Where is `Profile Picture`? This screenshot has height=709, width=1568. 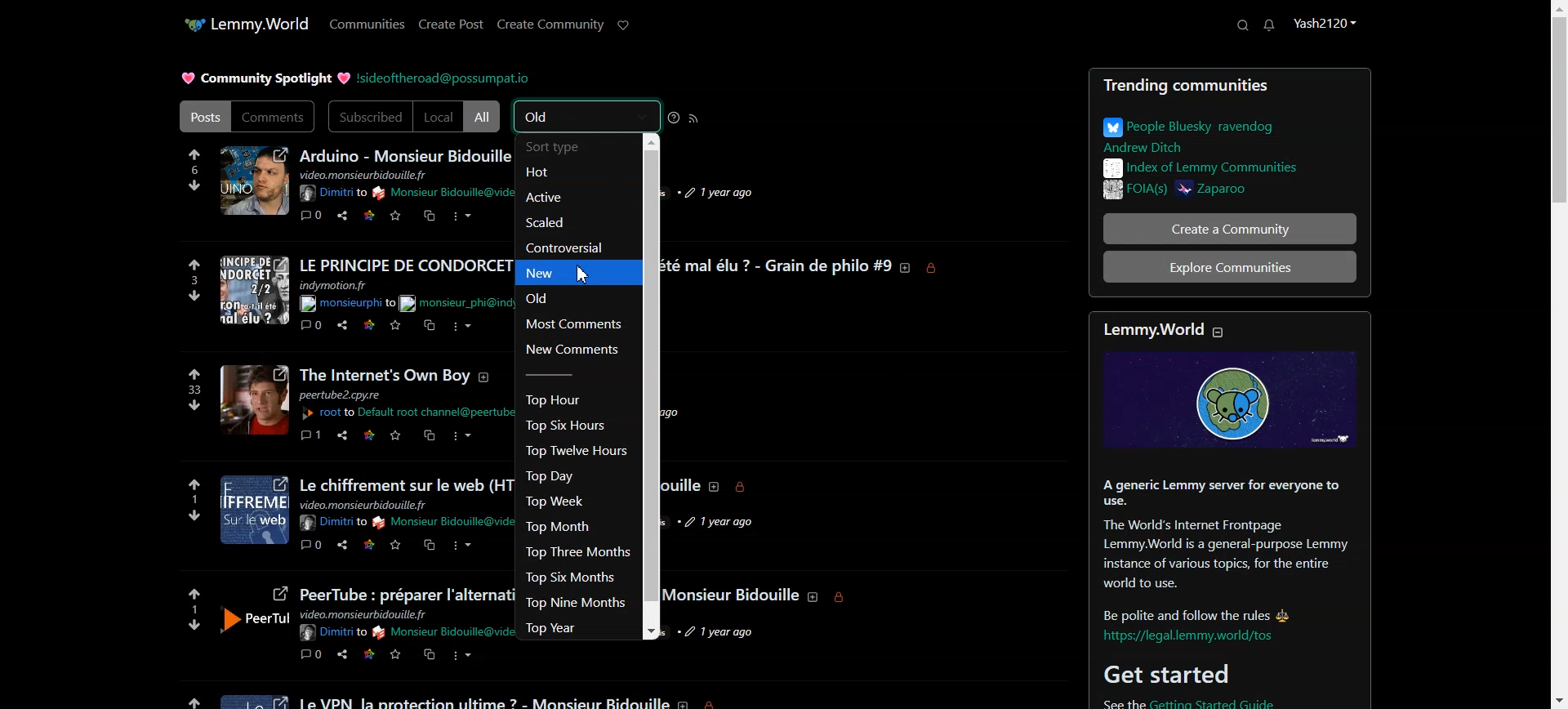
Profile Picture is located at coordinates (254, 181).